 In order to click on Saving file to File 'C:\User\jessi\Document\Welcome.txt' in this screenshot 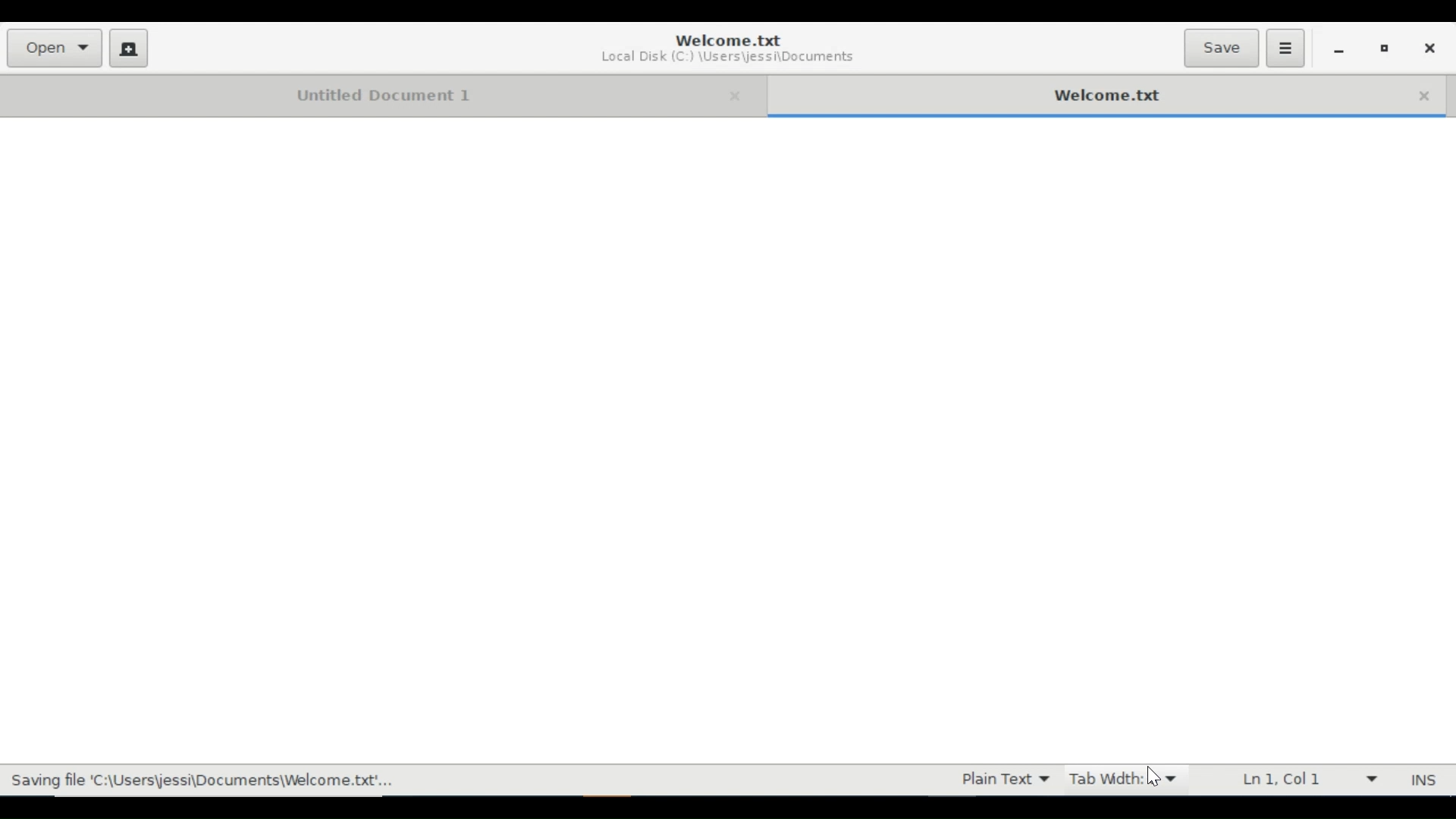, I will do `click(203, 780)`.